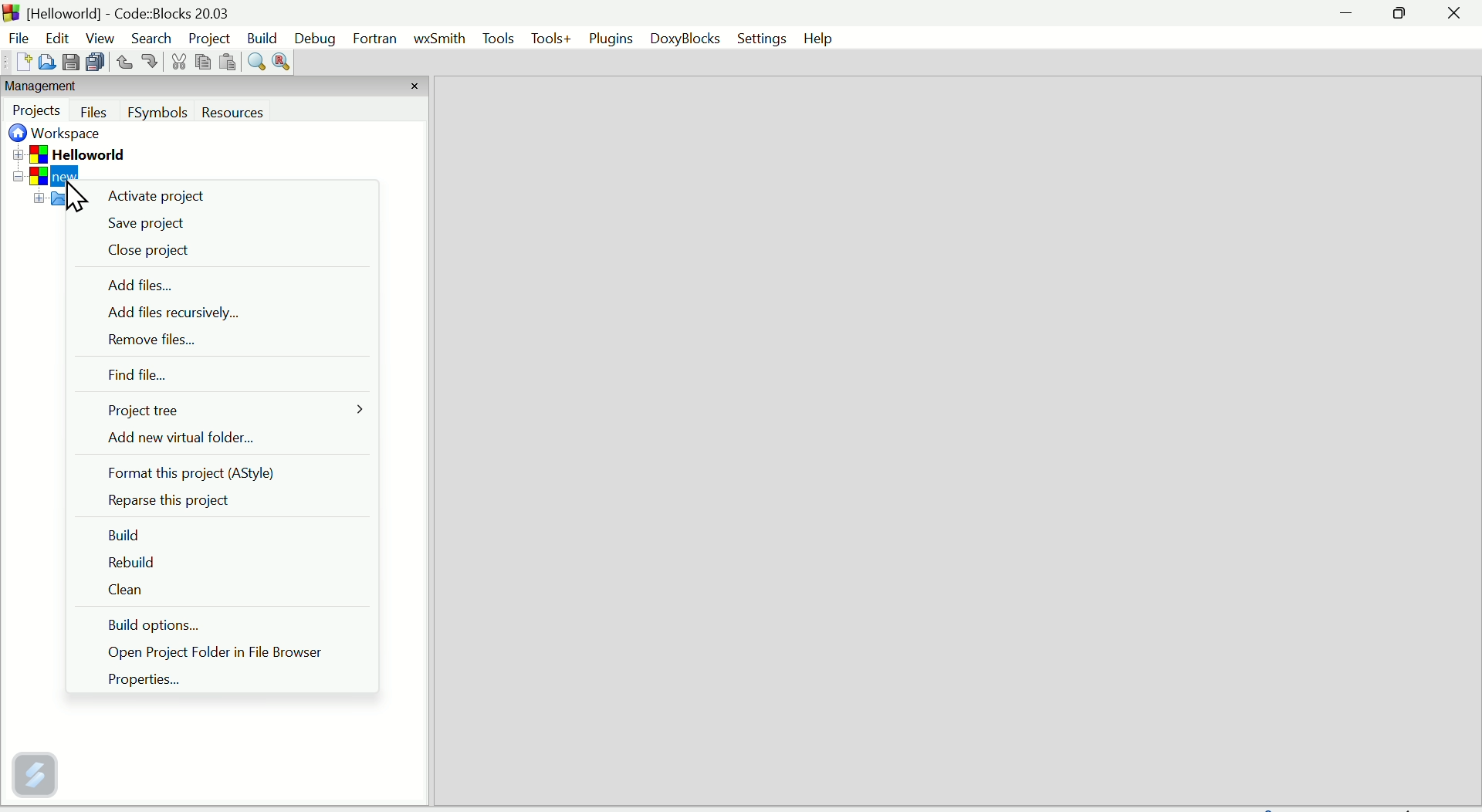 This screenshot has height=812, width=1482. What do you see at coordinates (1402, 14) in the screenshot?
I see `Maximise` at bounding box center [1402, 14].